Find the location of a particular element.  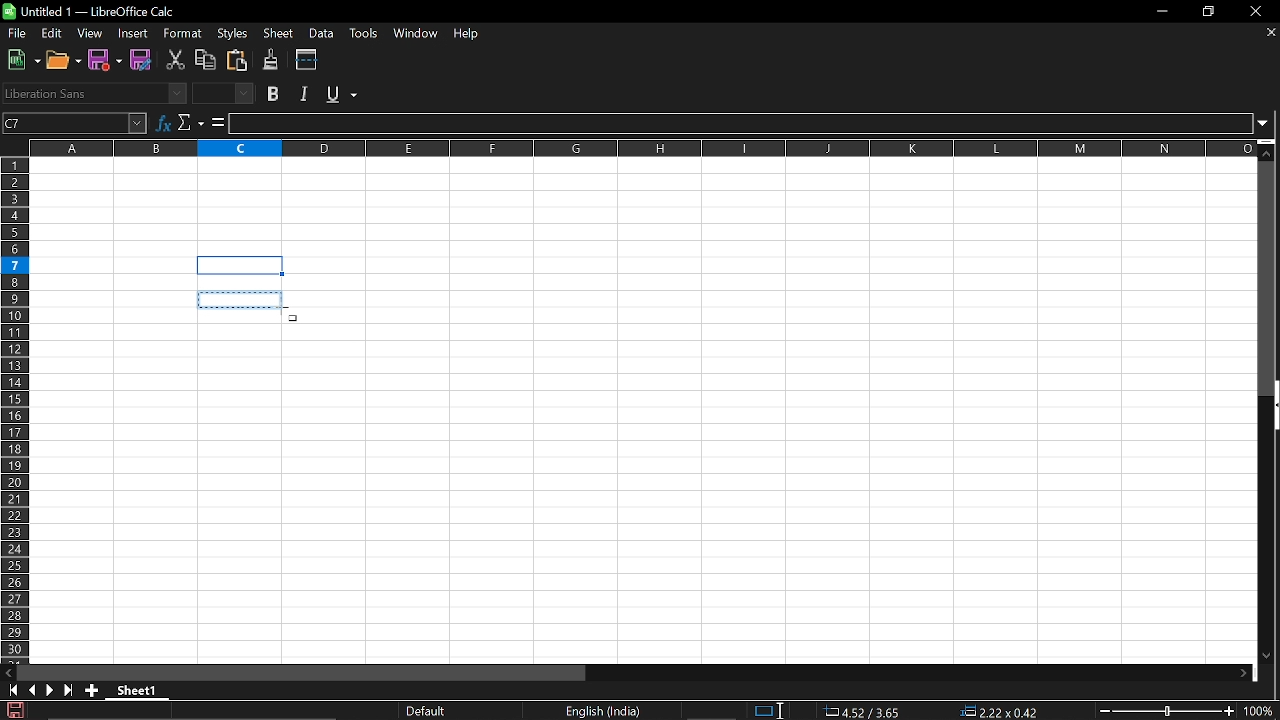

Current sheet is located at coordinates (142, 692).